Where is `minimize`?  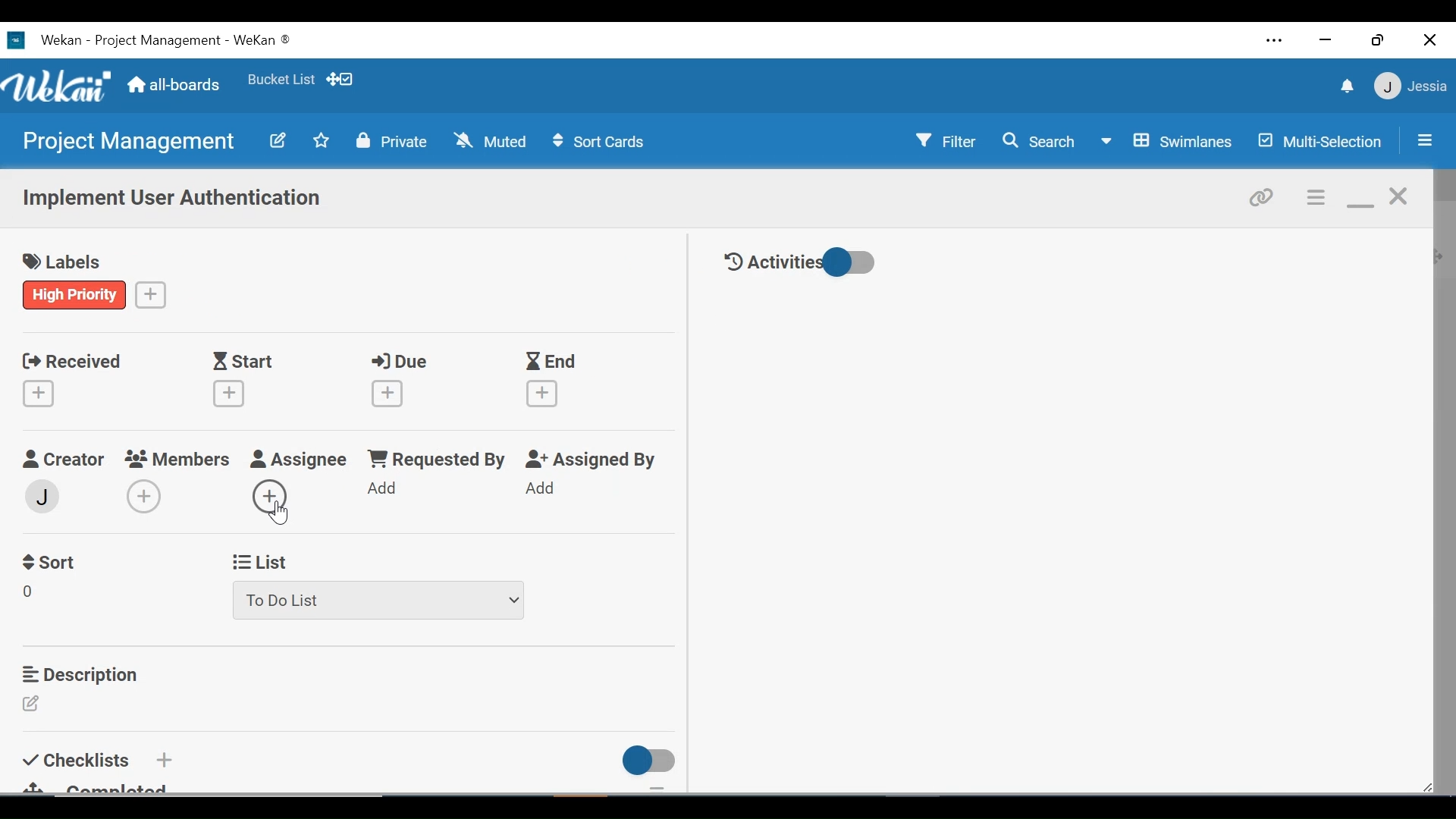
minimize is located at coordinates (1360, 199).